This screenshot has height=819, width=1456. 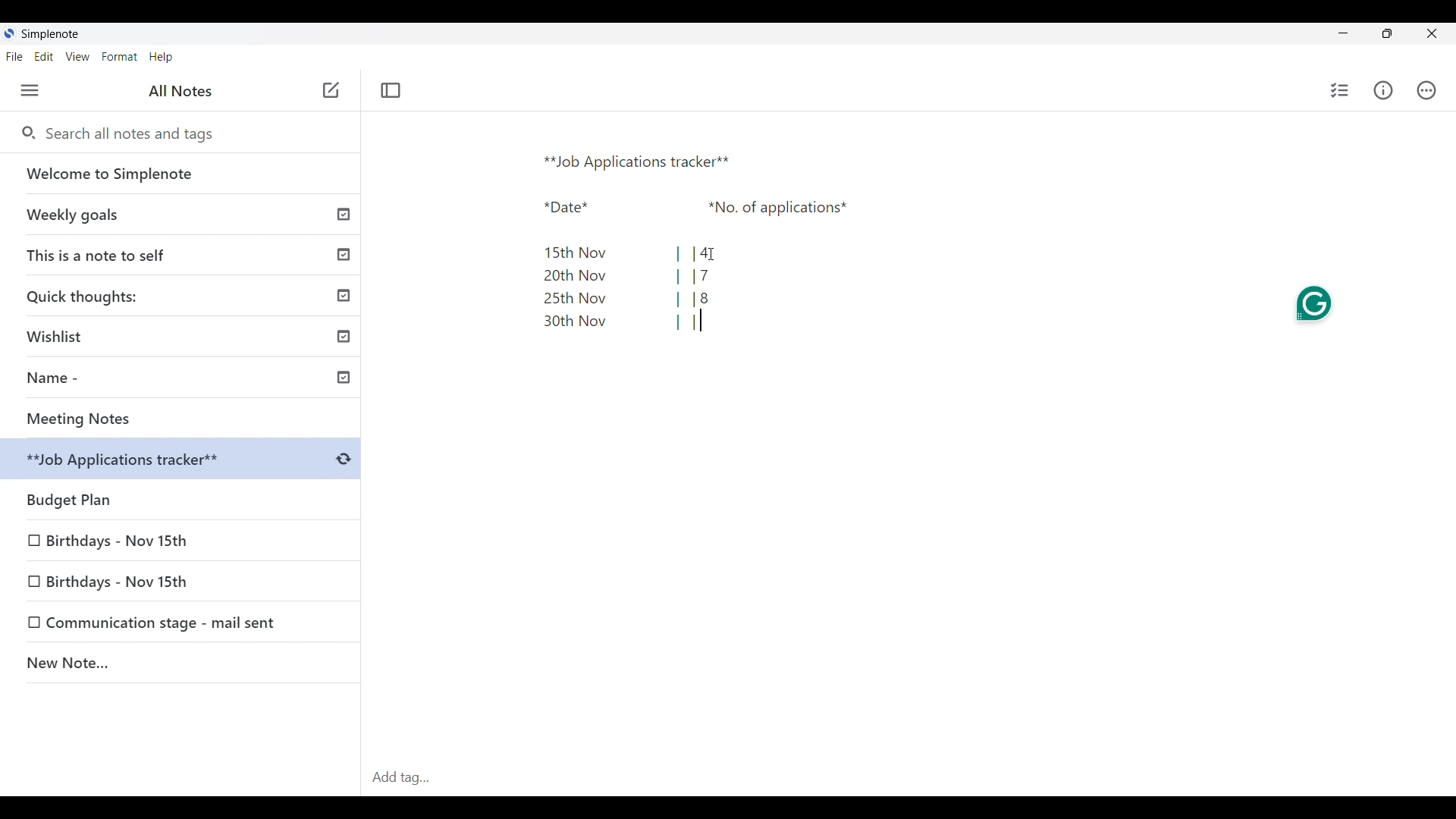 I want to click on New Note.., so click(x=181, y=665).